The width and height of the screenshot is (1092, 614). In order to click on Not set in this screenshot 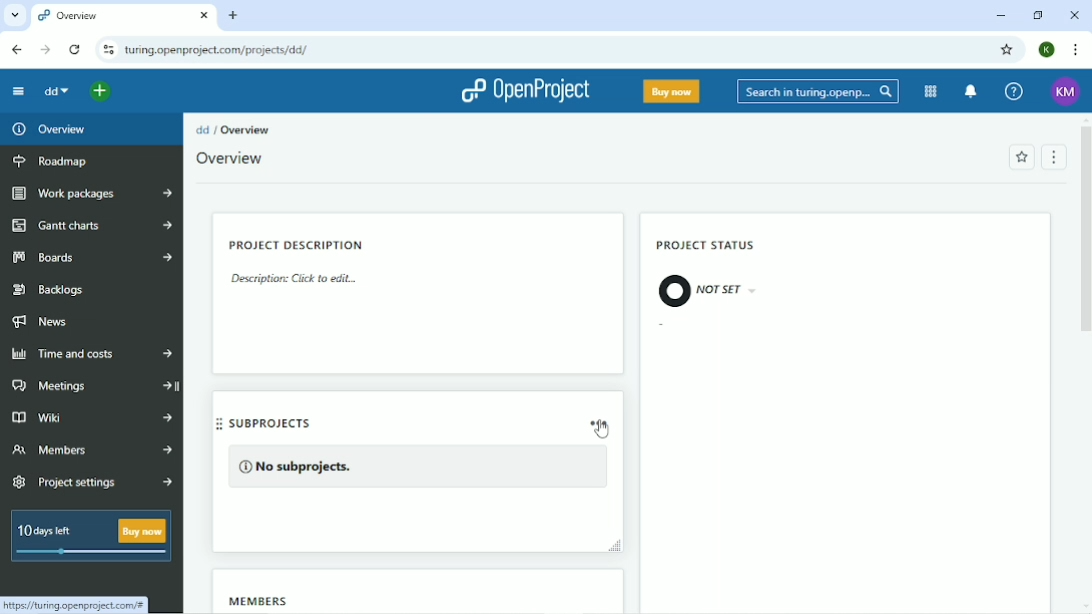, I will do `click(714, 291)`.